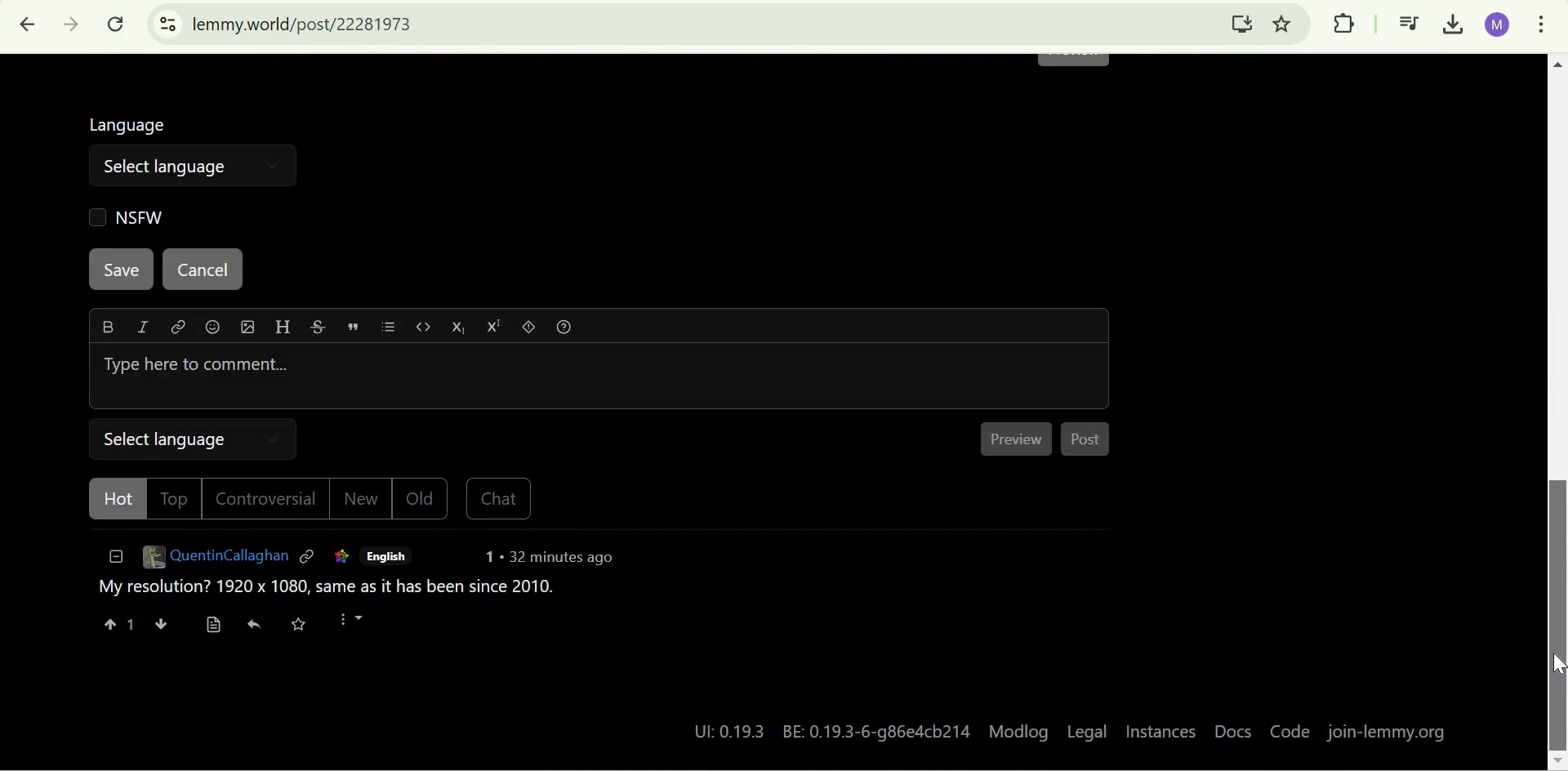 Image resolution: width=1568 pixels, height=771 pixels. What do you see at coordinates (599, 376) in the screenshot?
I see `Type here to comment...` at bounding box center [599, 376].